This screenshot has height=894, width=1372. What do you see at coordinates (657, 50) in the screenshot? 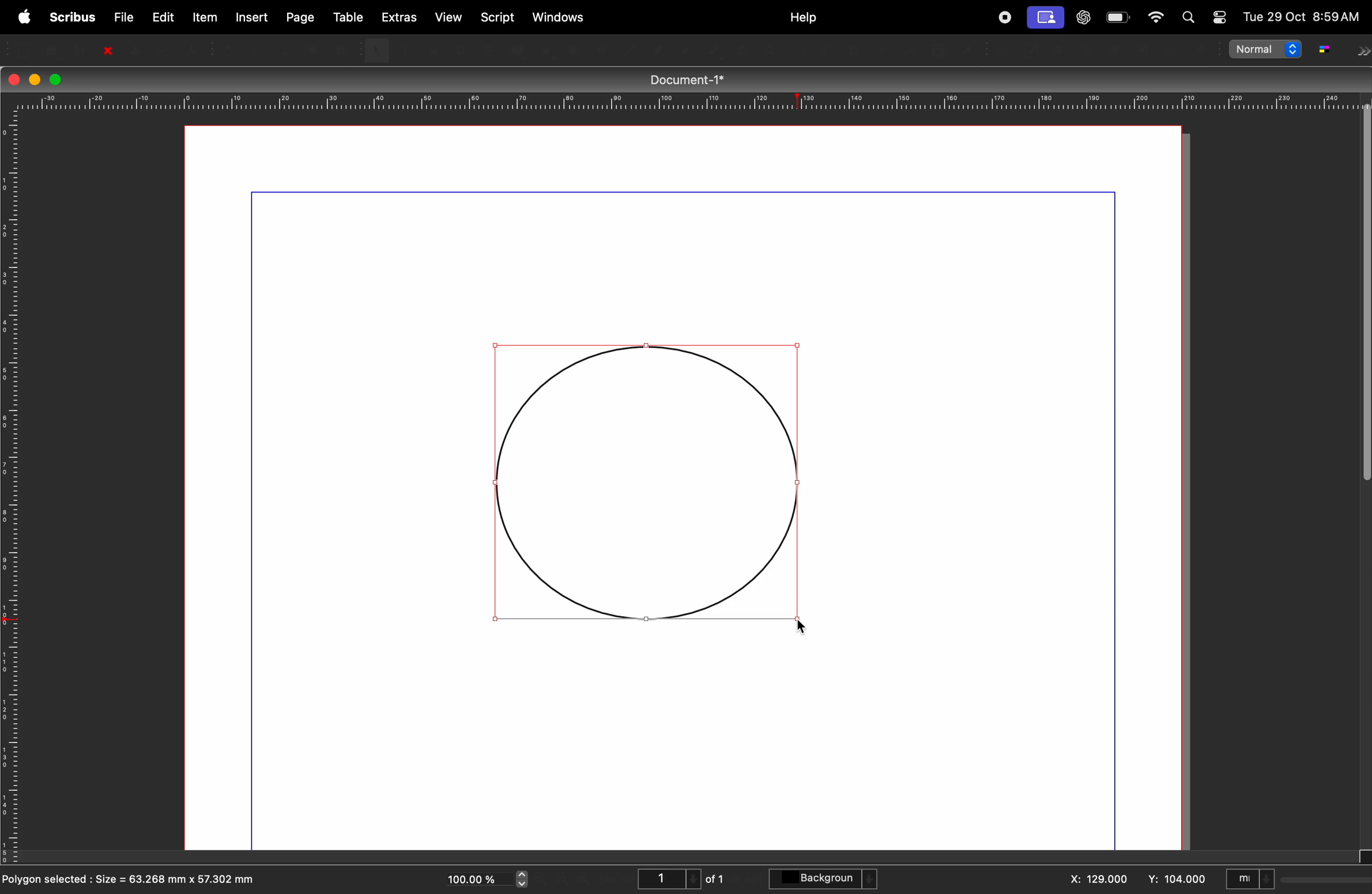
I see `Line` at bounding box center [657, 50].